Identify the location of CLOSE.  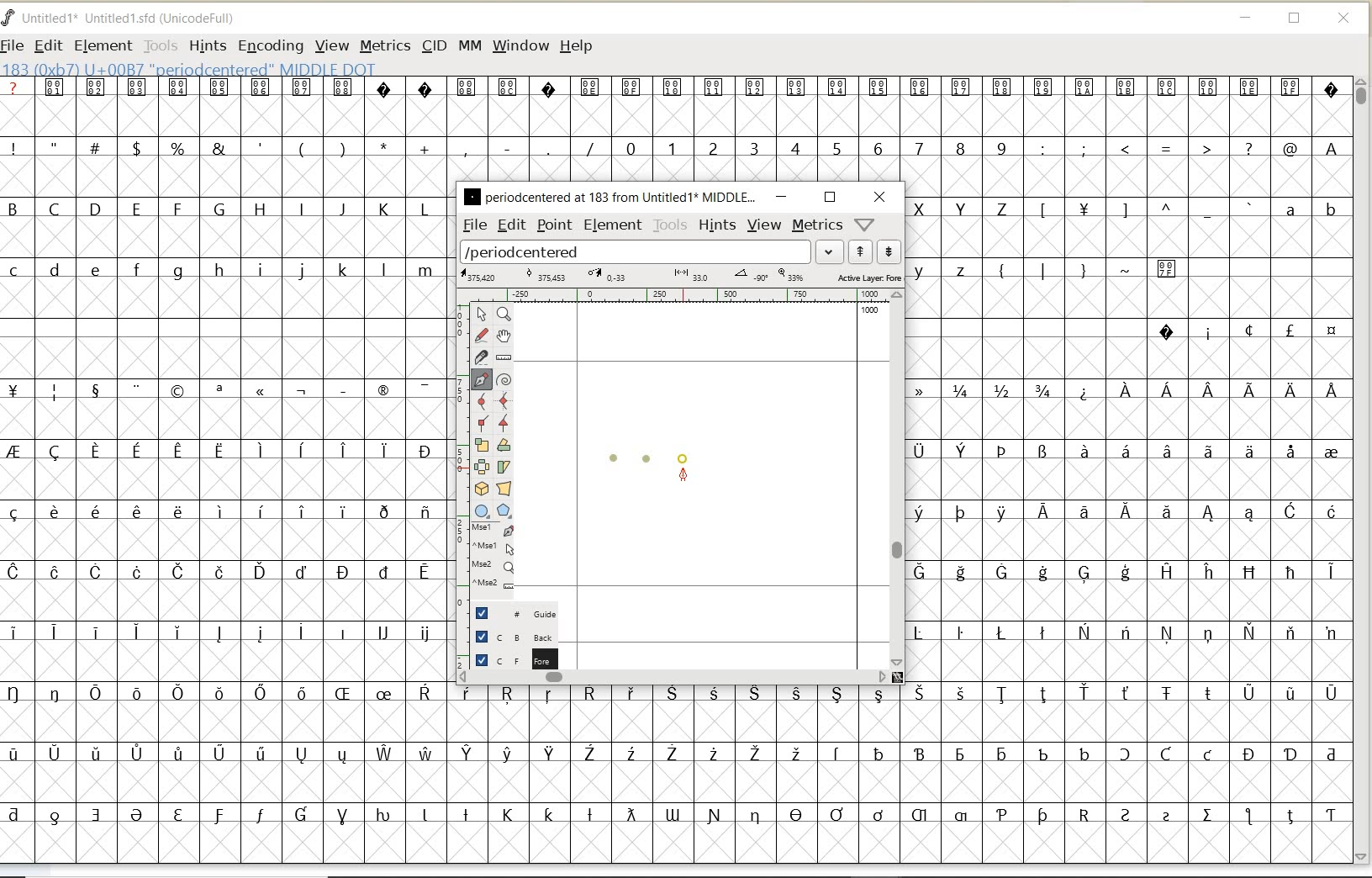
(1345, 19).